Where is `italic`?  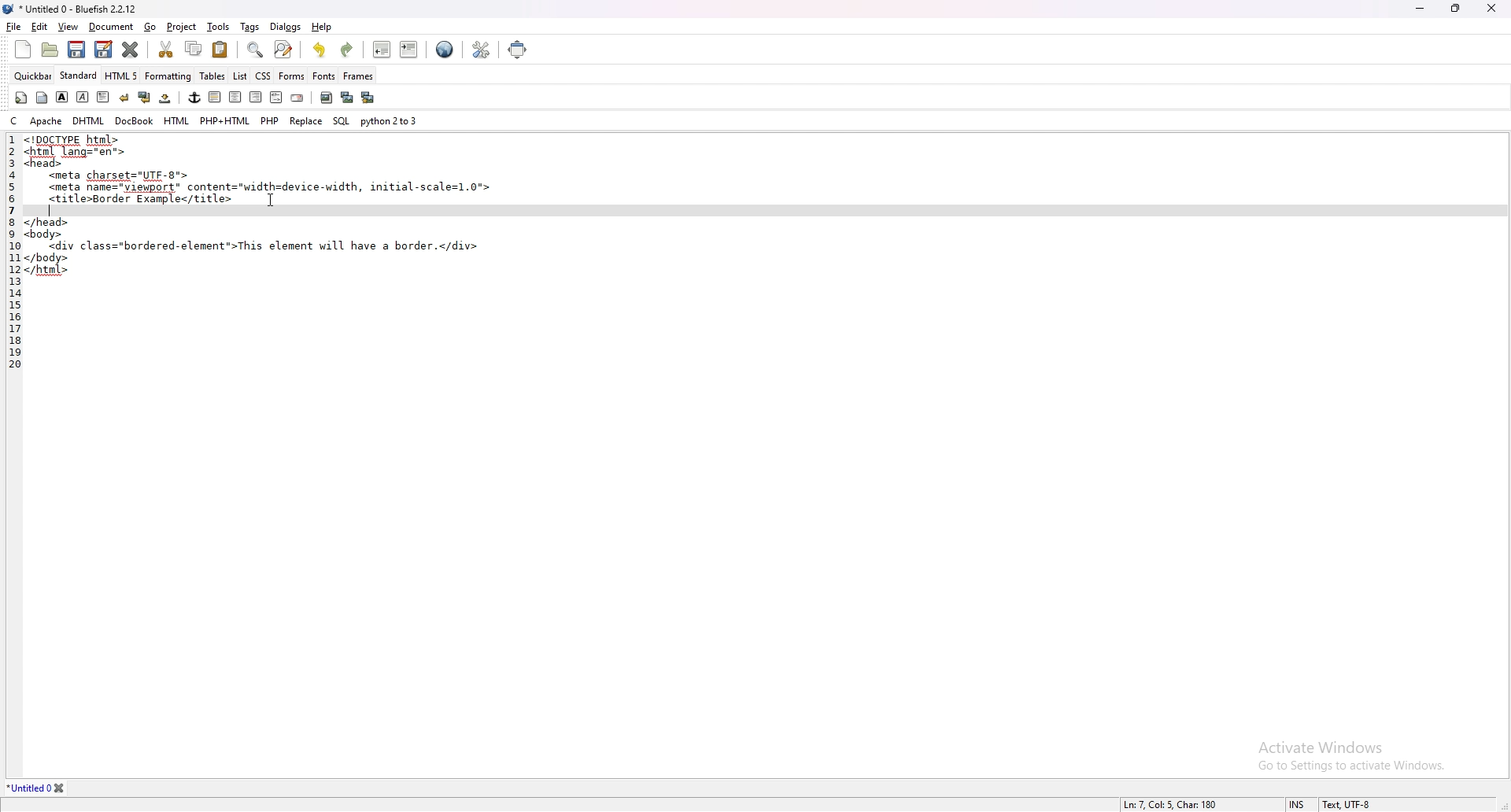
italic is located at coordinates (82, 97).